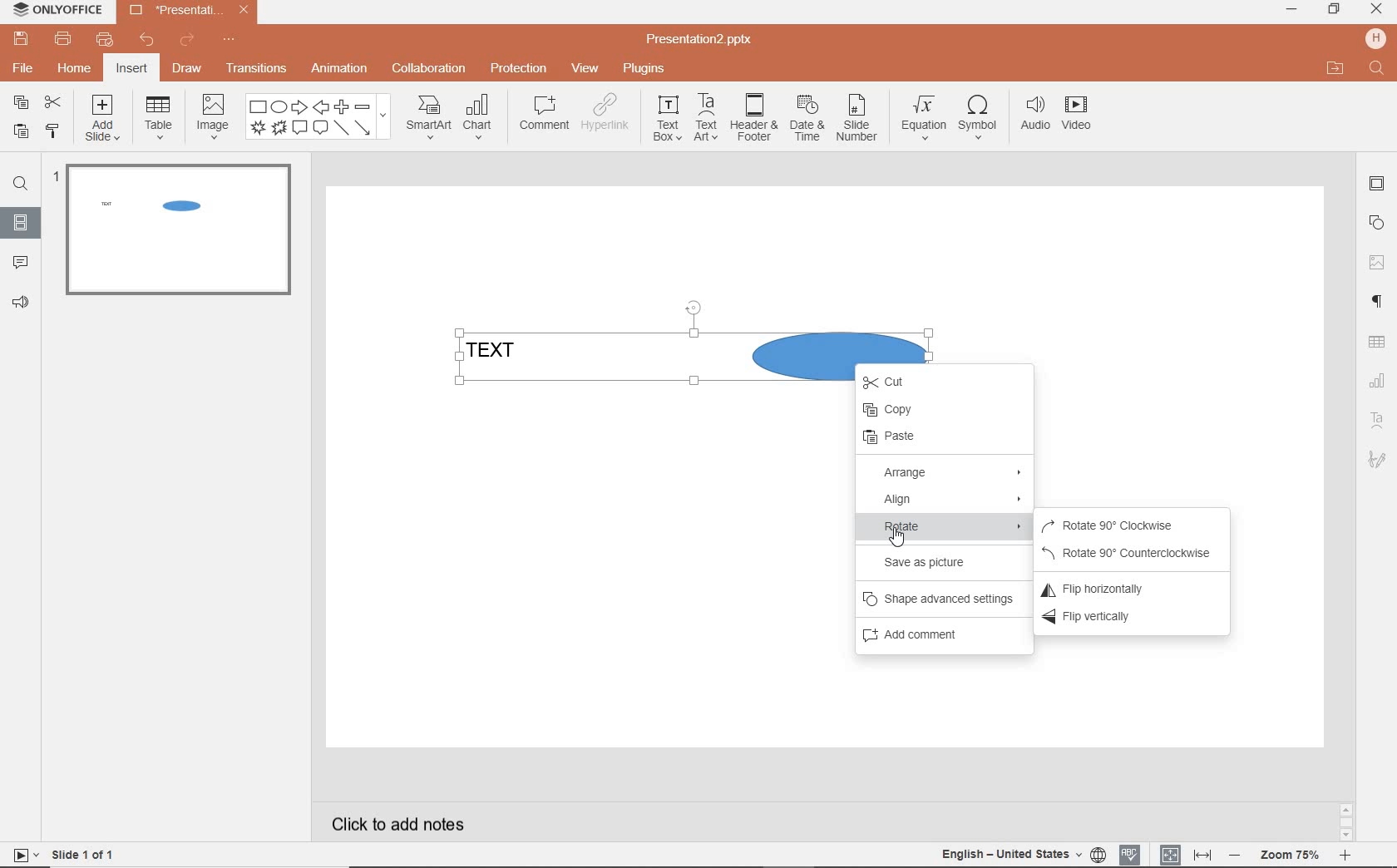 This screenshot has width=1397, height=868. Describe the element at coordinates (102, 40) in the screenshot. I see `customize quick print` at that location.